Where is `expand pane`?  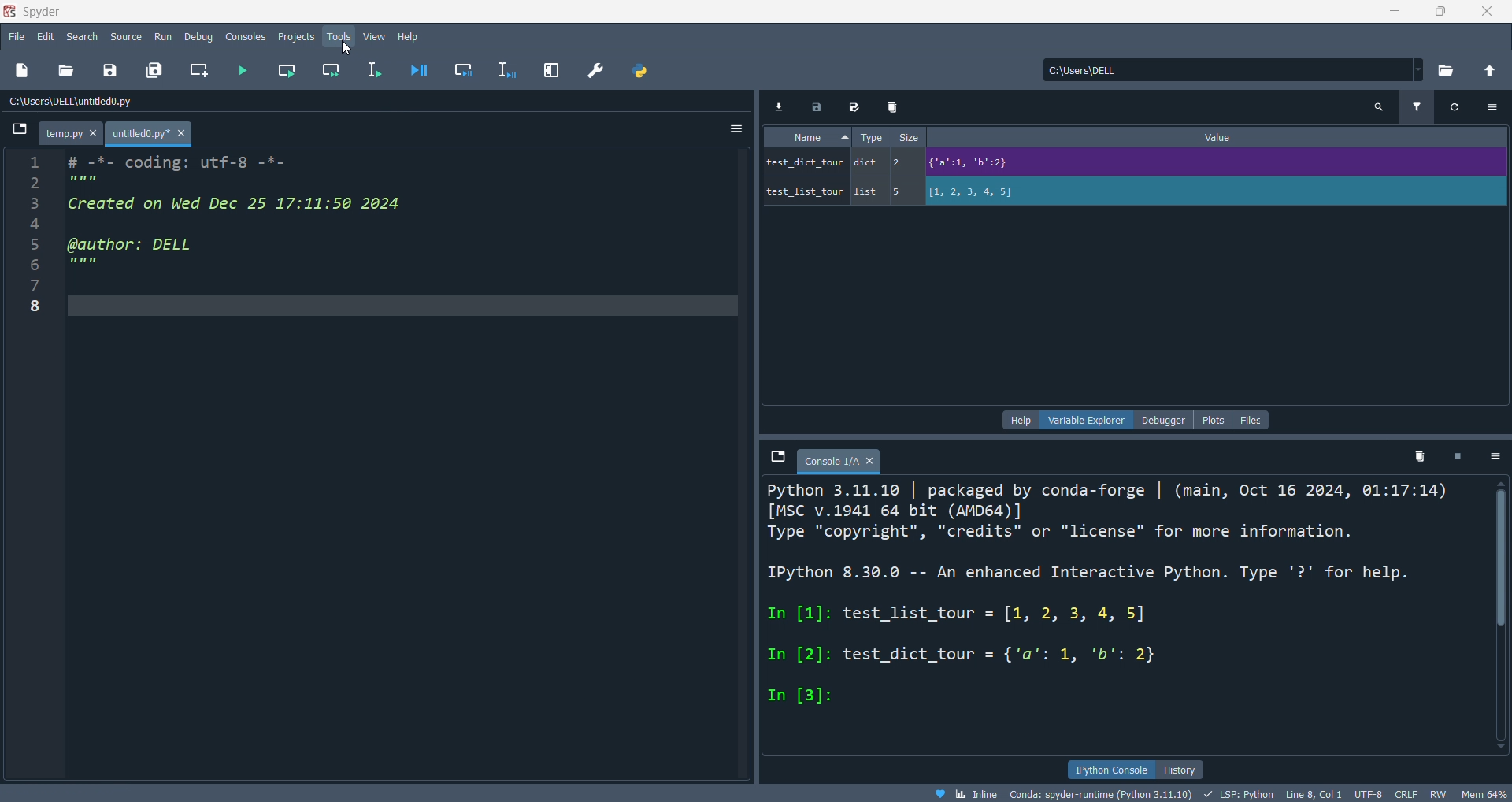
expand pane is located at coordinates (550, 71).